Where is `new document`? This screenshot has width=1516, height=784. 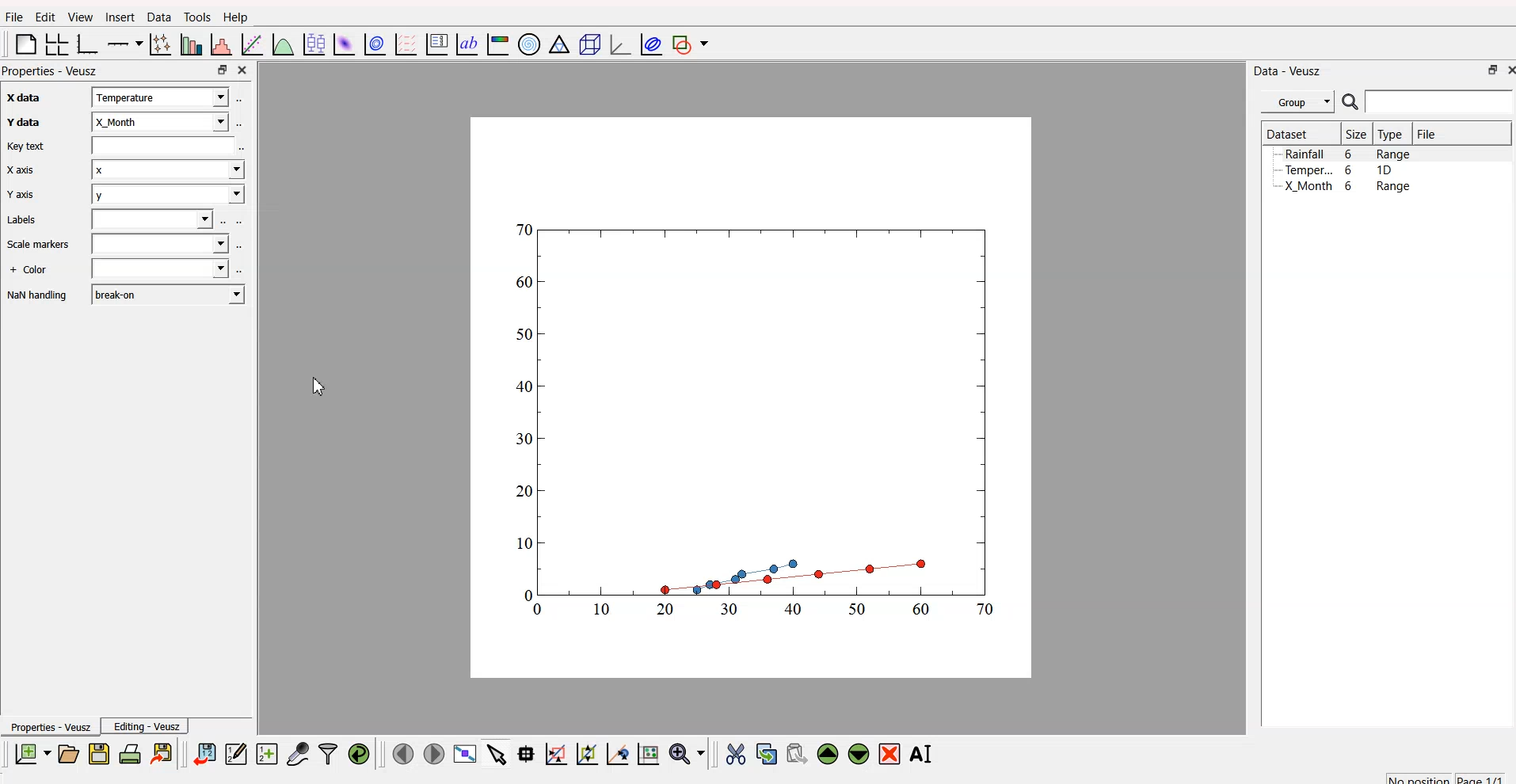
new document is located at coordinates (32, 755).